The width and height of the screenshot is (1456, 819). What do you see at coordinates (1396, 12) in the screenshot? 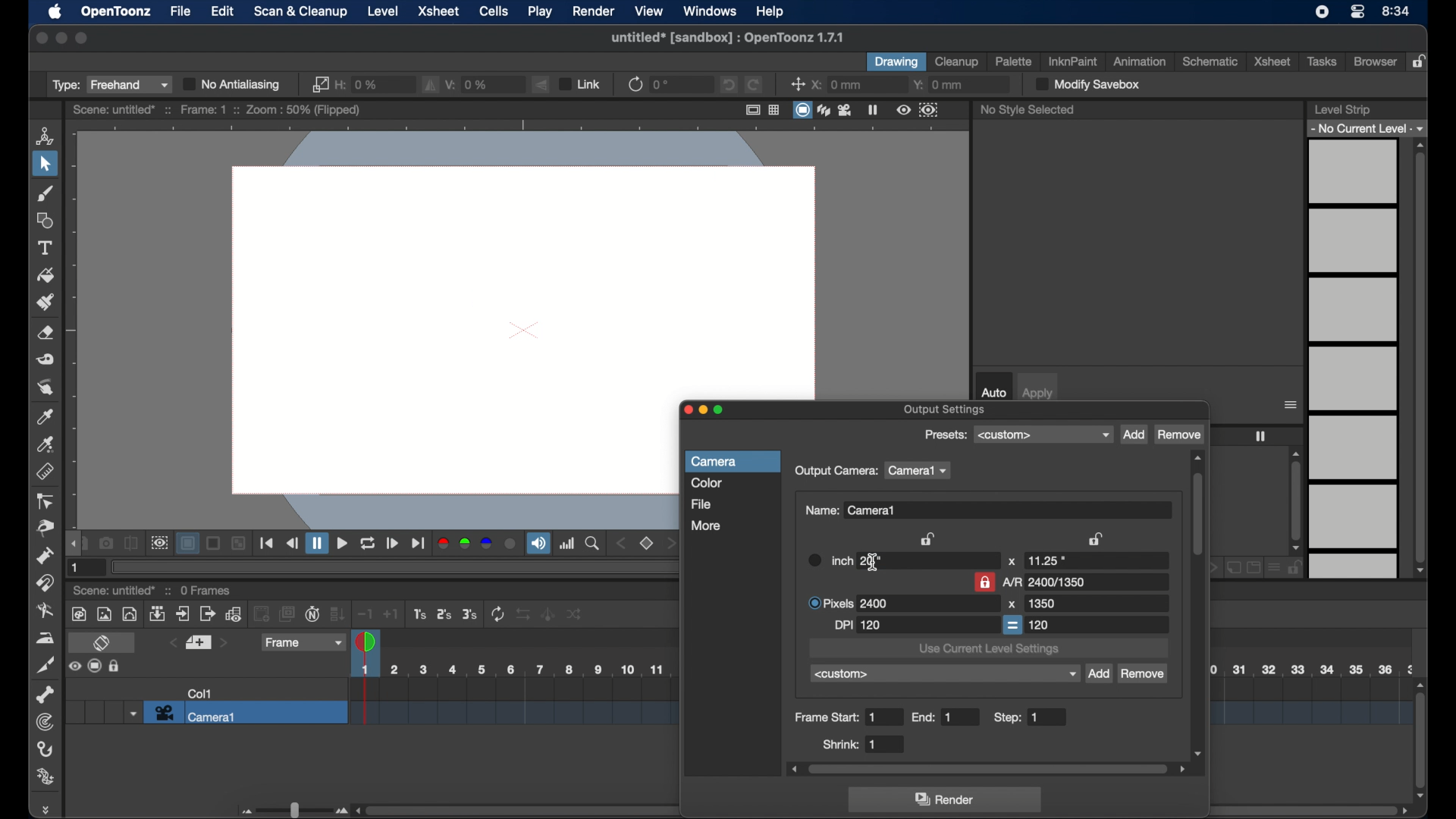
I see `time` at bounding box center [1396, 12].